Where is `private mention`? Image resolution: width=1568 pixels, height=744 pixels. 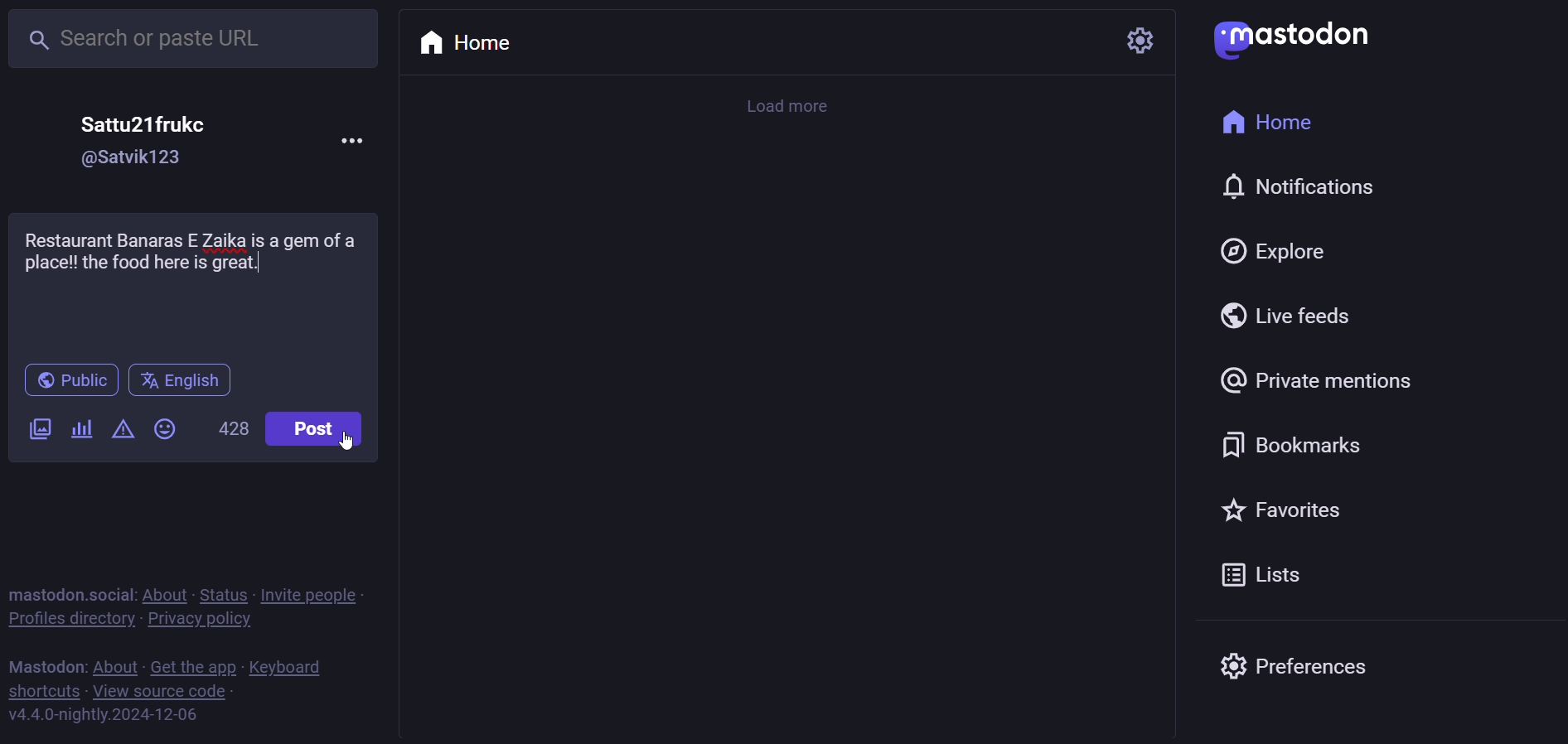
private mention is located at coordinates (1319, 382).